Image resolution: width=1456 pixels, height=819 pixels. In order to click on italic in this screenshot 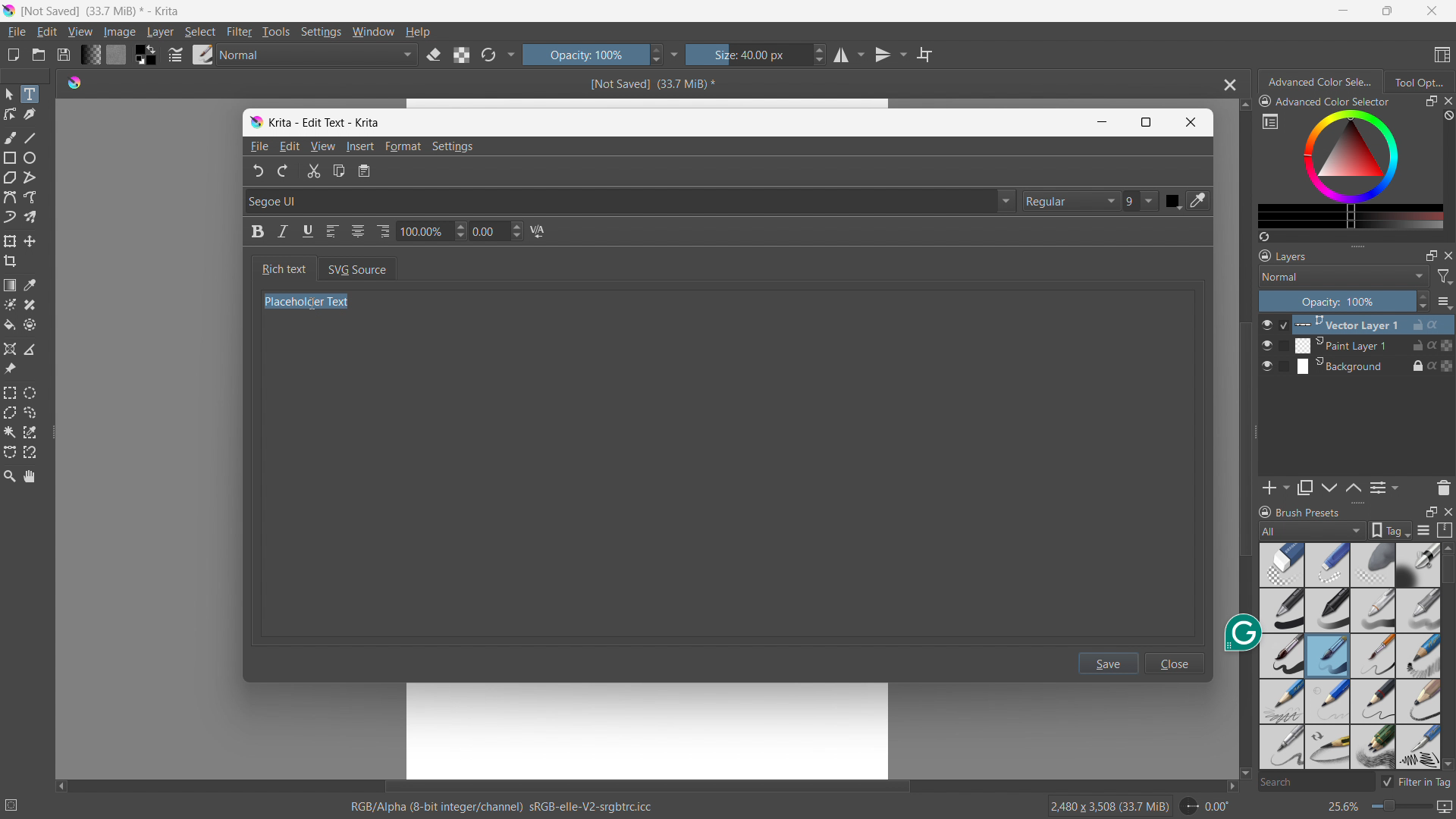, I will do `click(284, 231)`.